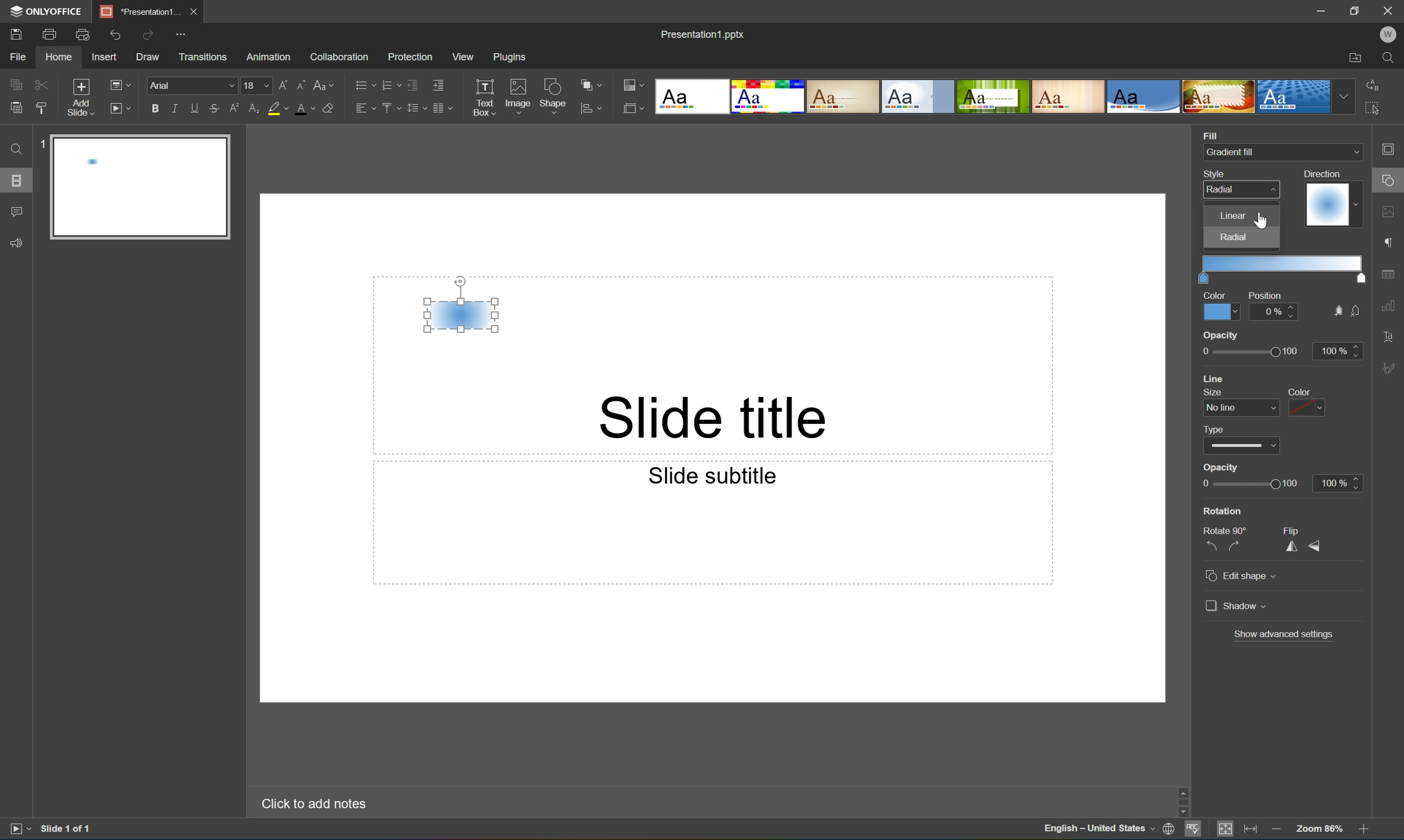 The height and width of the screenshot is (840, 1404). Describe the element at coordinates (1391, 367) in the screenshot. I see `Signature settings` at that location.